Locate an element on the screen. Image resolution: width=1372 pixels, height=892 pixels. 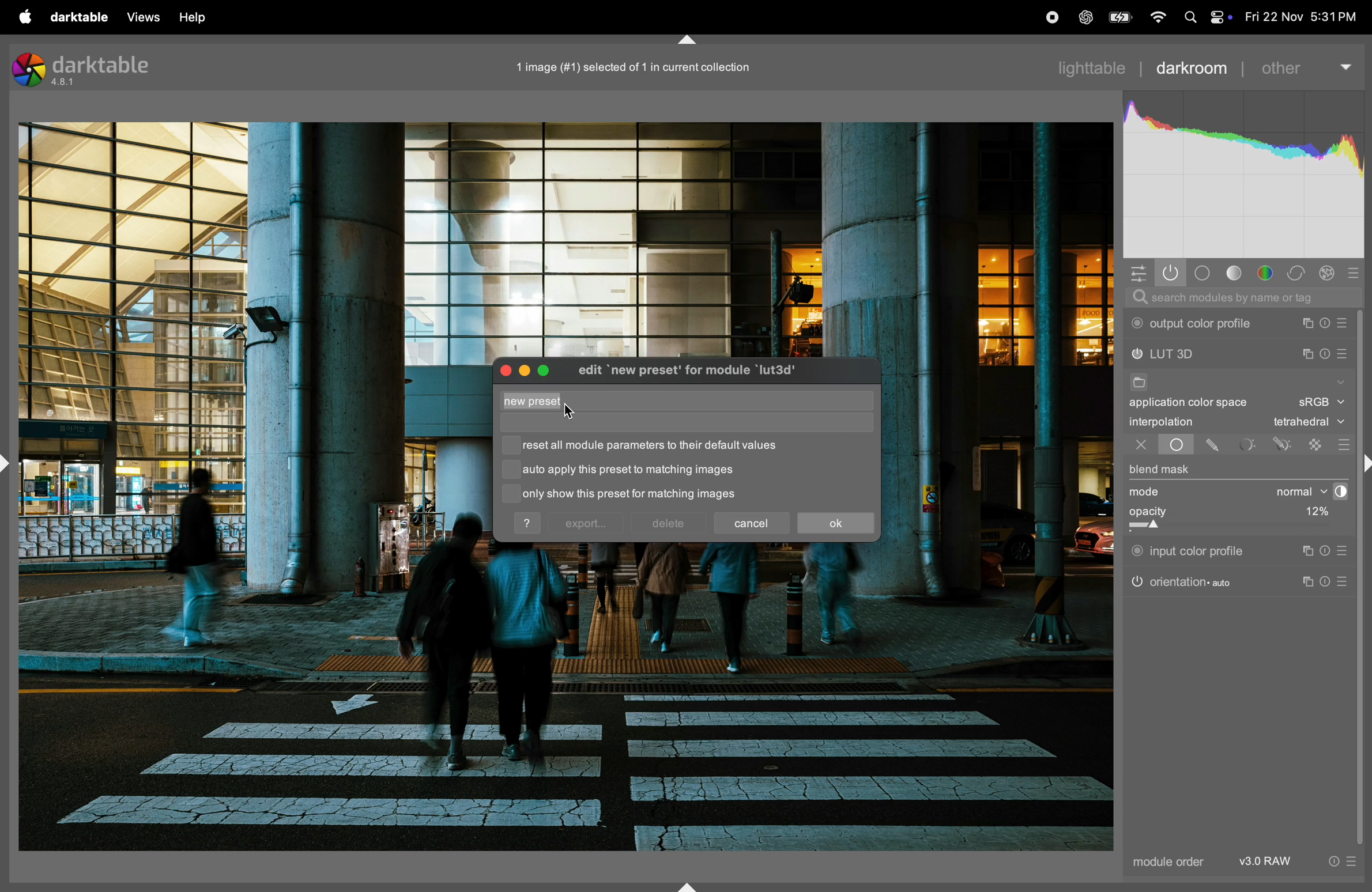
reset parameters is located at coordinates (1325, 352).